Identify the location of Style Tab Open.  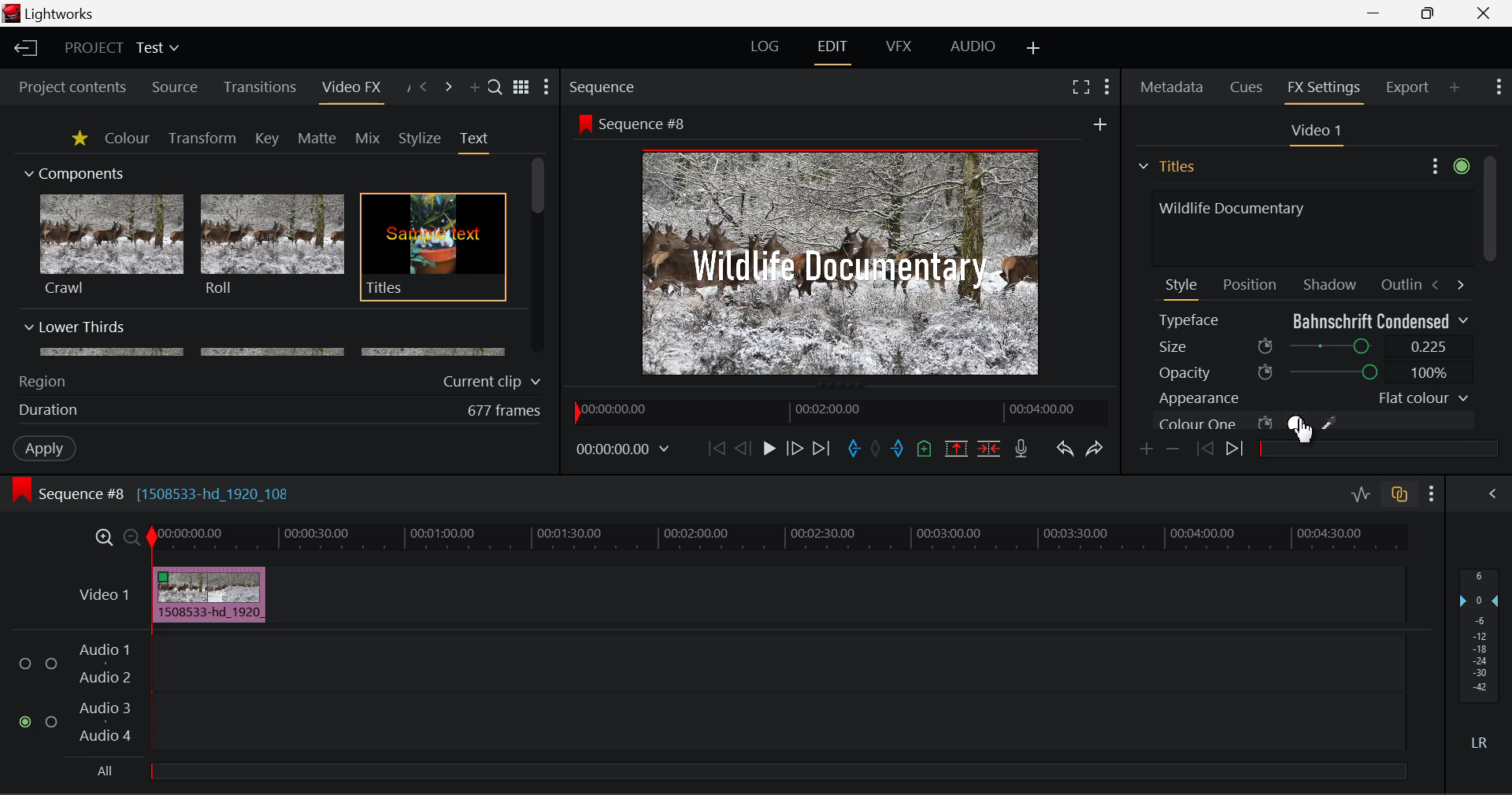
(1183, 288).